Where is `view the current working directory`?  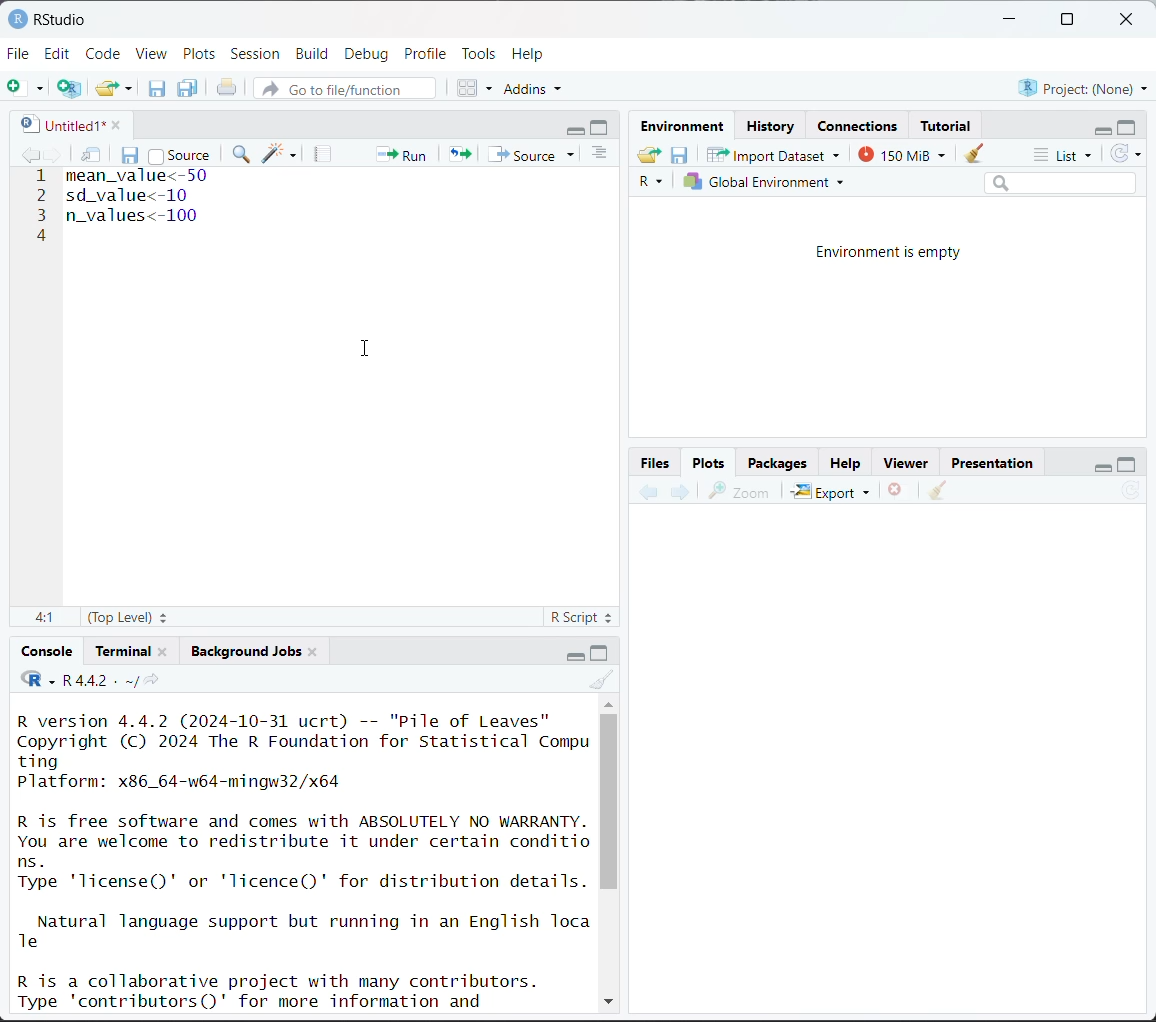 view the current working directory is located at coordinates (151, 680).